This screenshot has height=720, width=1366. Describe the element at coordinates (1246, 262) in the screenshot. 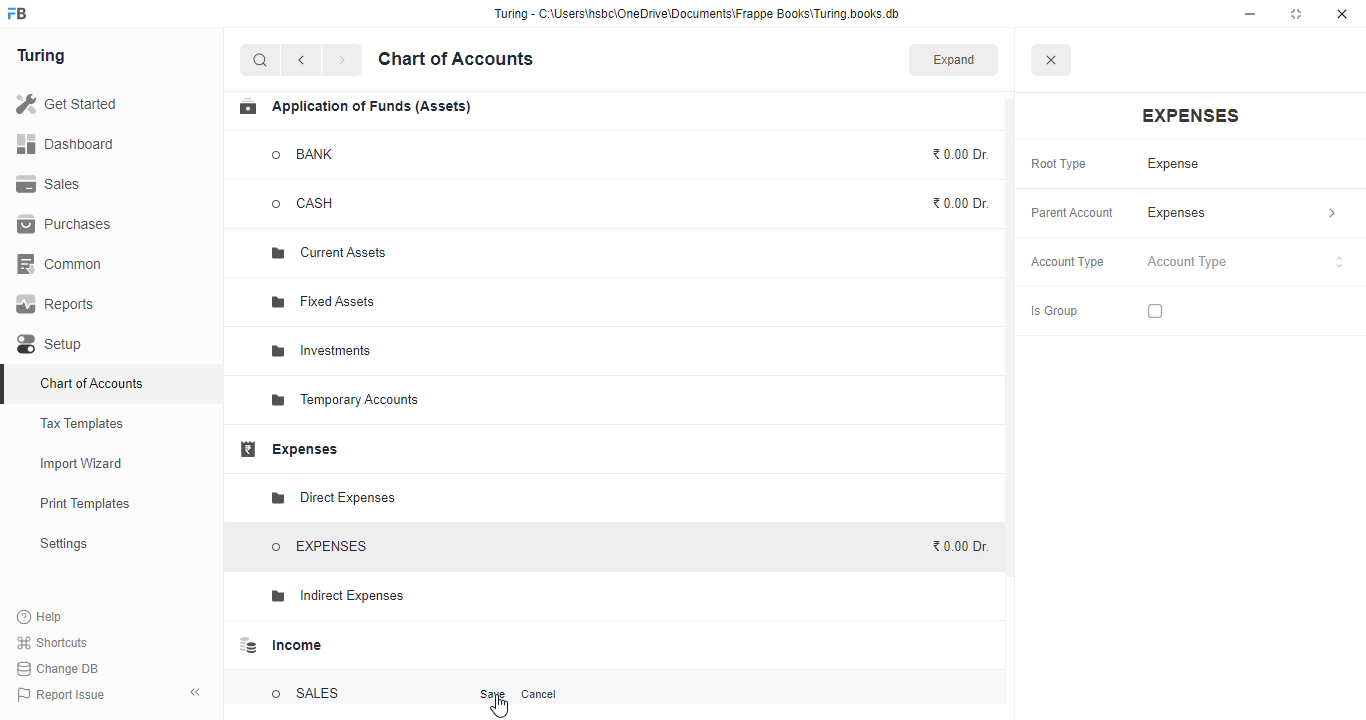

I see `account type` at that location.